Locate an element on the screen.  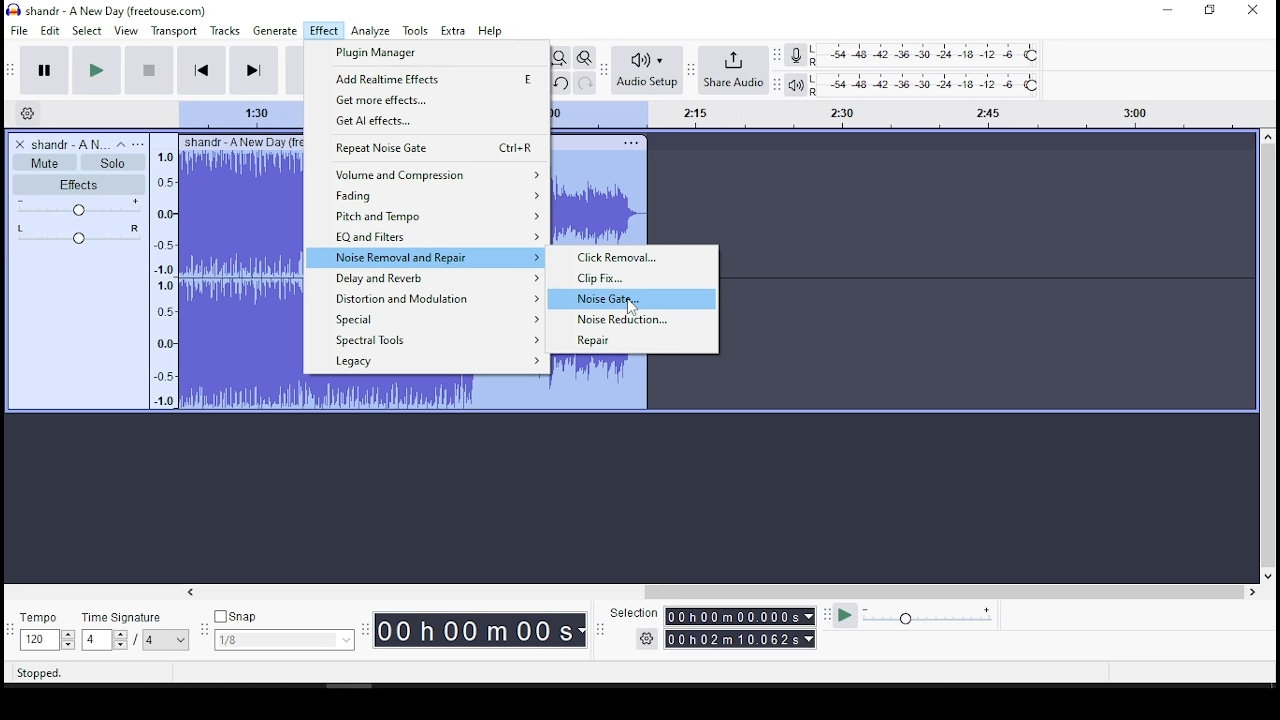
undo is located at coordinates (560, 82).